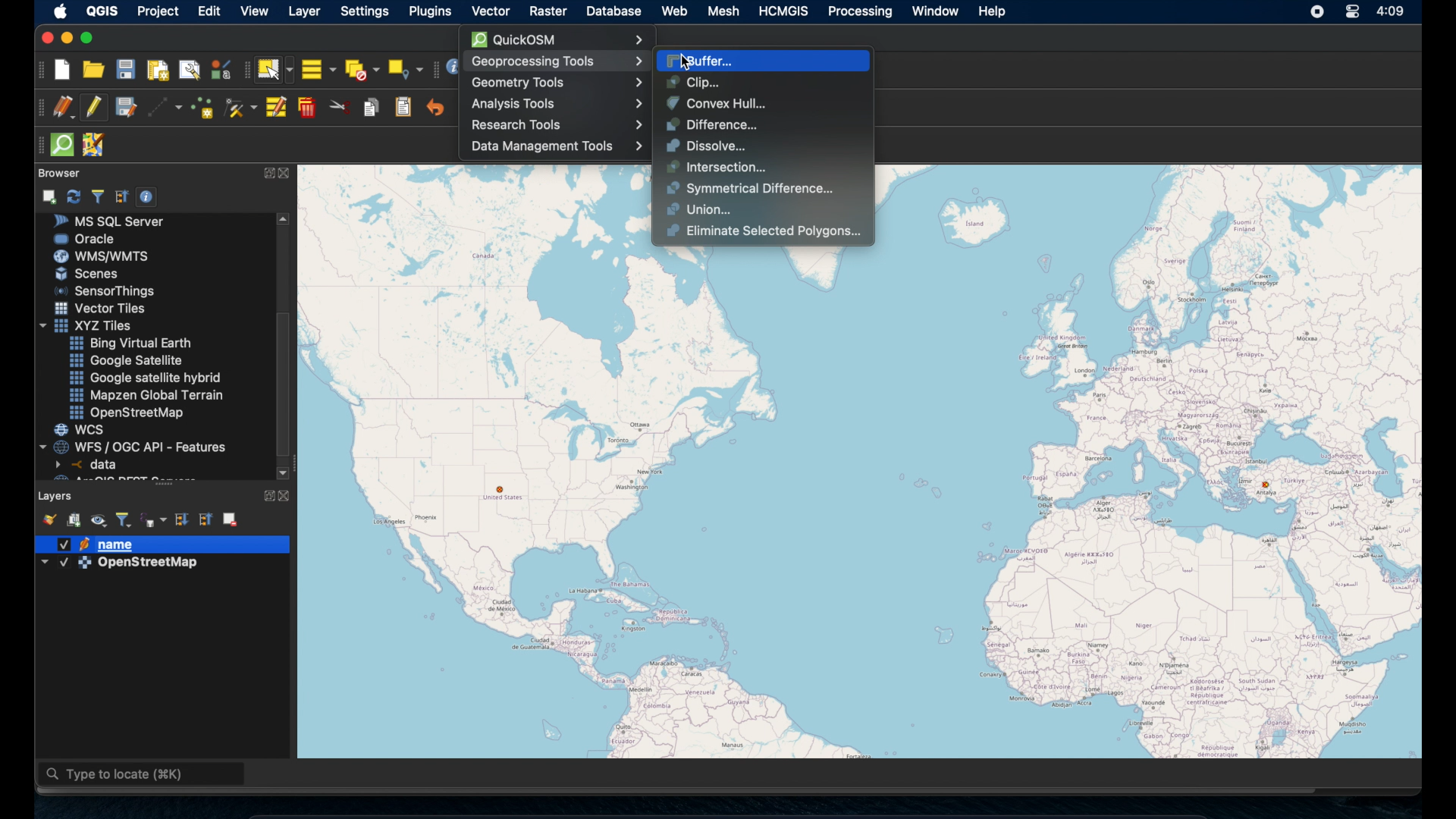 This screenshot has width=1456, height=819. What do you see at coordinates (406, 67) in the screenshot?
I see `select by location` at bounding box center [406, 67].